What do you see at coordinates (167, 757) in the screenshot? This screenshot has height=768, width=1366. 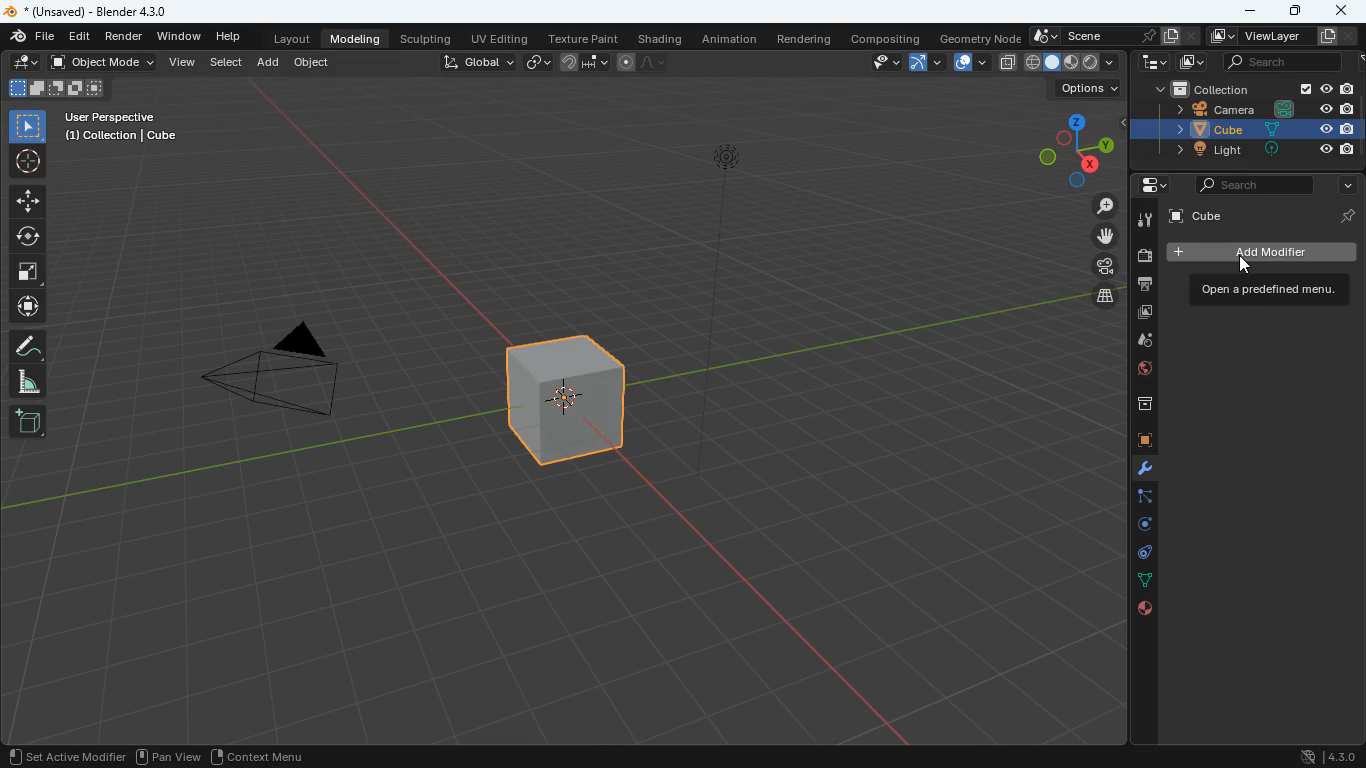 I see `pan view` at bounding box center [167, 757].